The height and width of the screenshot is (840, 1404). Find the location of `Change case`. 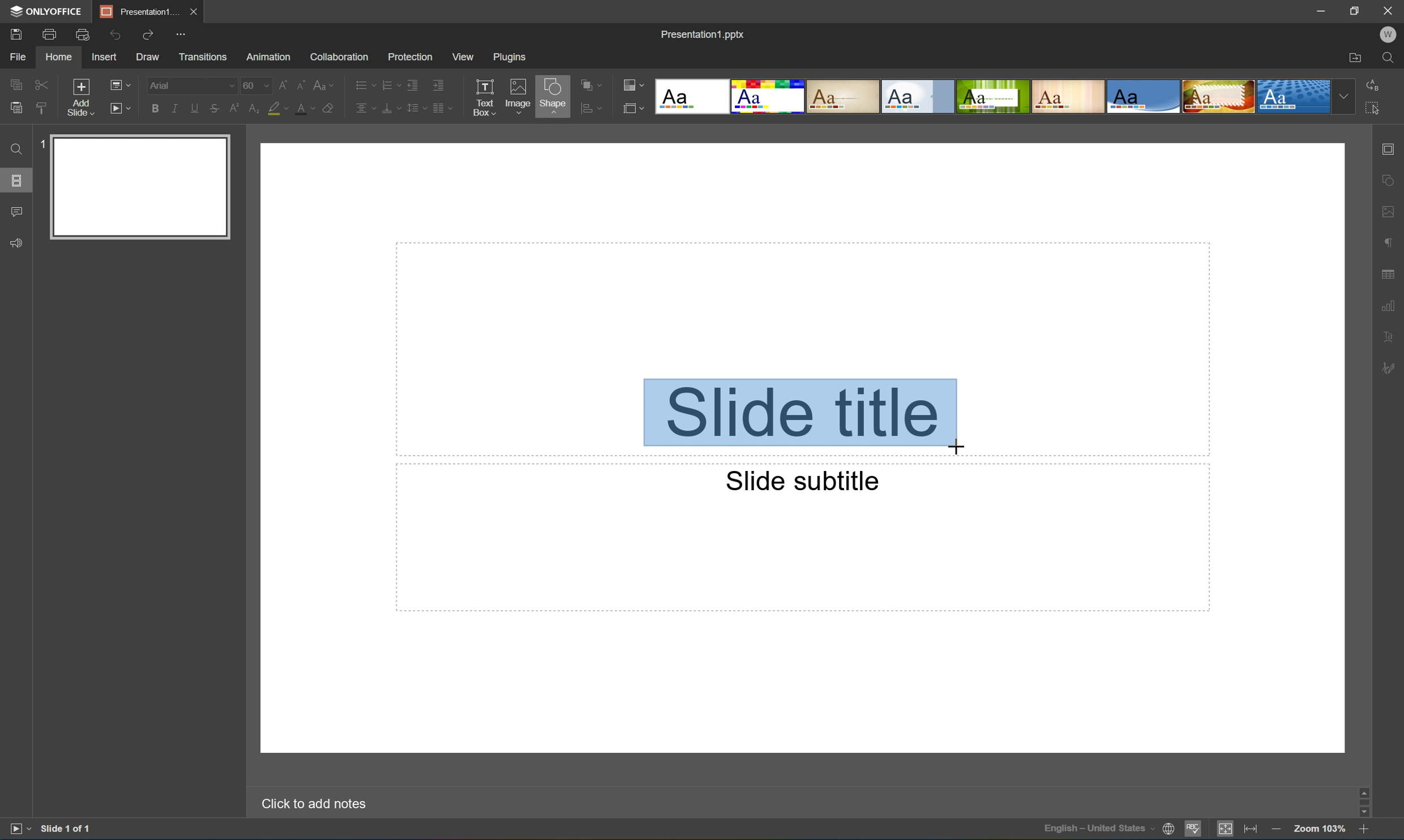

Change case is located at coordinates (327, 85).